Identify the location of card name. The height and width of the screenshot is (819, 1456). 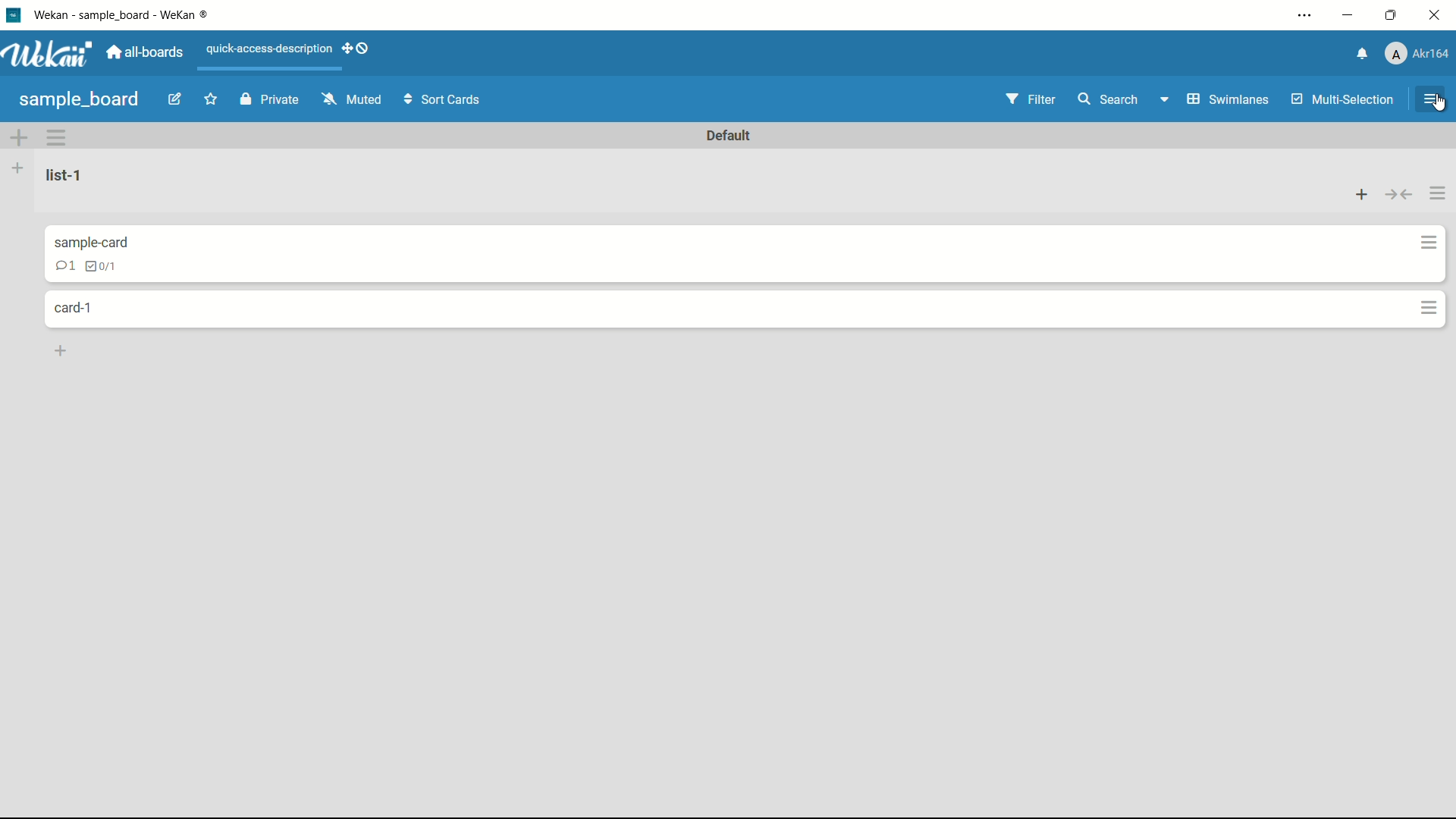
(96, 242).